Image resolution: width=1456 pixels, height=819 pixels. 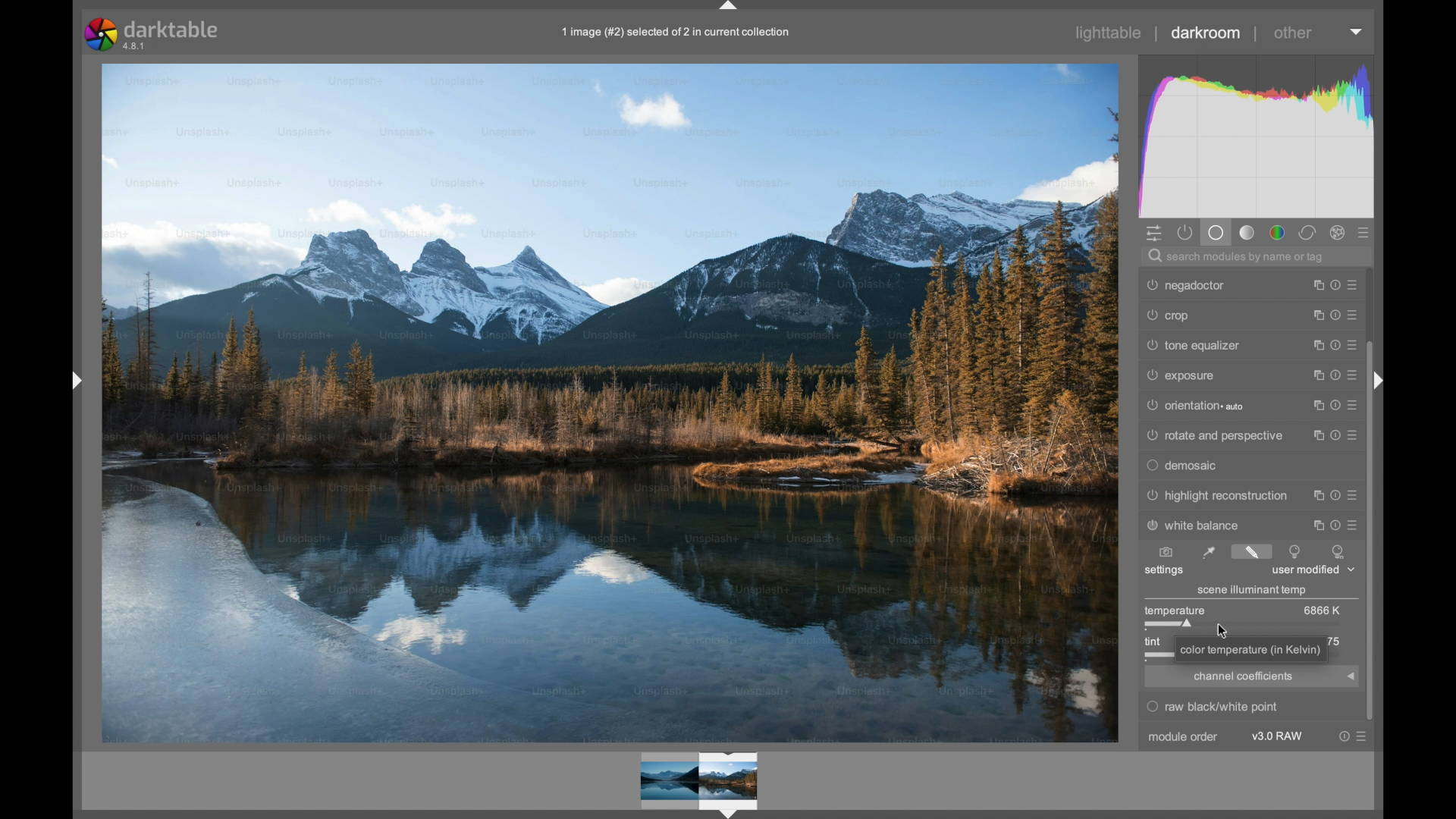 What do you see at coordinates (1222, 631) in the screenshot?
I see `Cursor` at bounding box center [1222, 631].